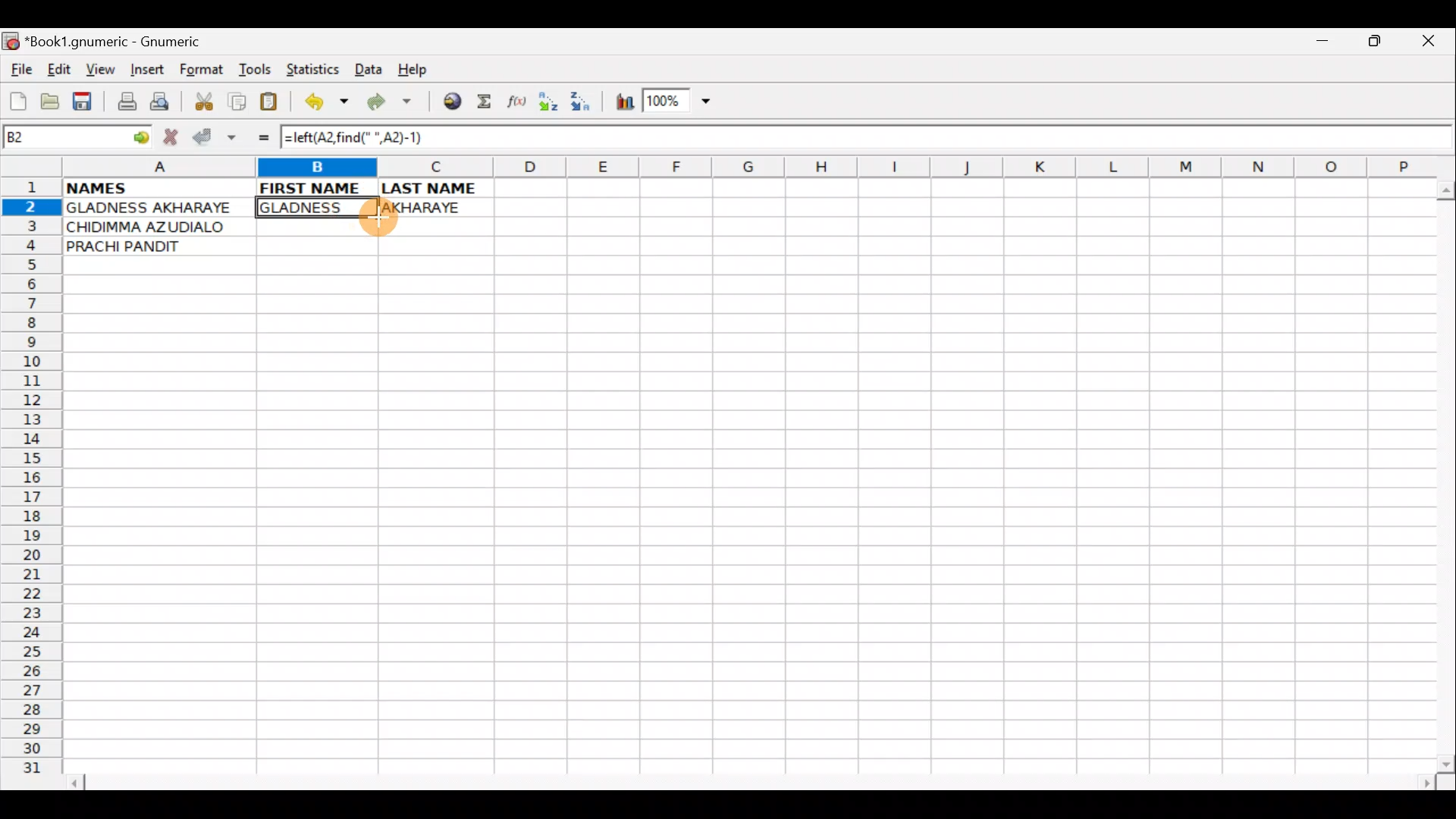  Describe the element at coordinates (96, 69) in the screenshot. I see `View` at that location.